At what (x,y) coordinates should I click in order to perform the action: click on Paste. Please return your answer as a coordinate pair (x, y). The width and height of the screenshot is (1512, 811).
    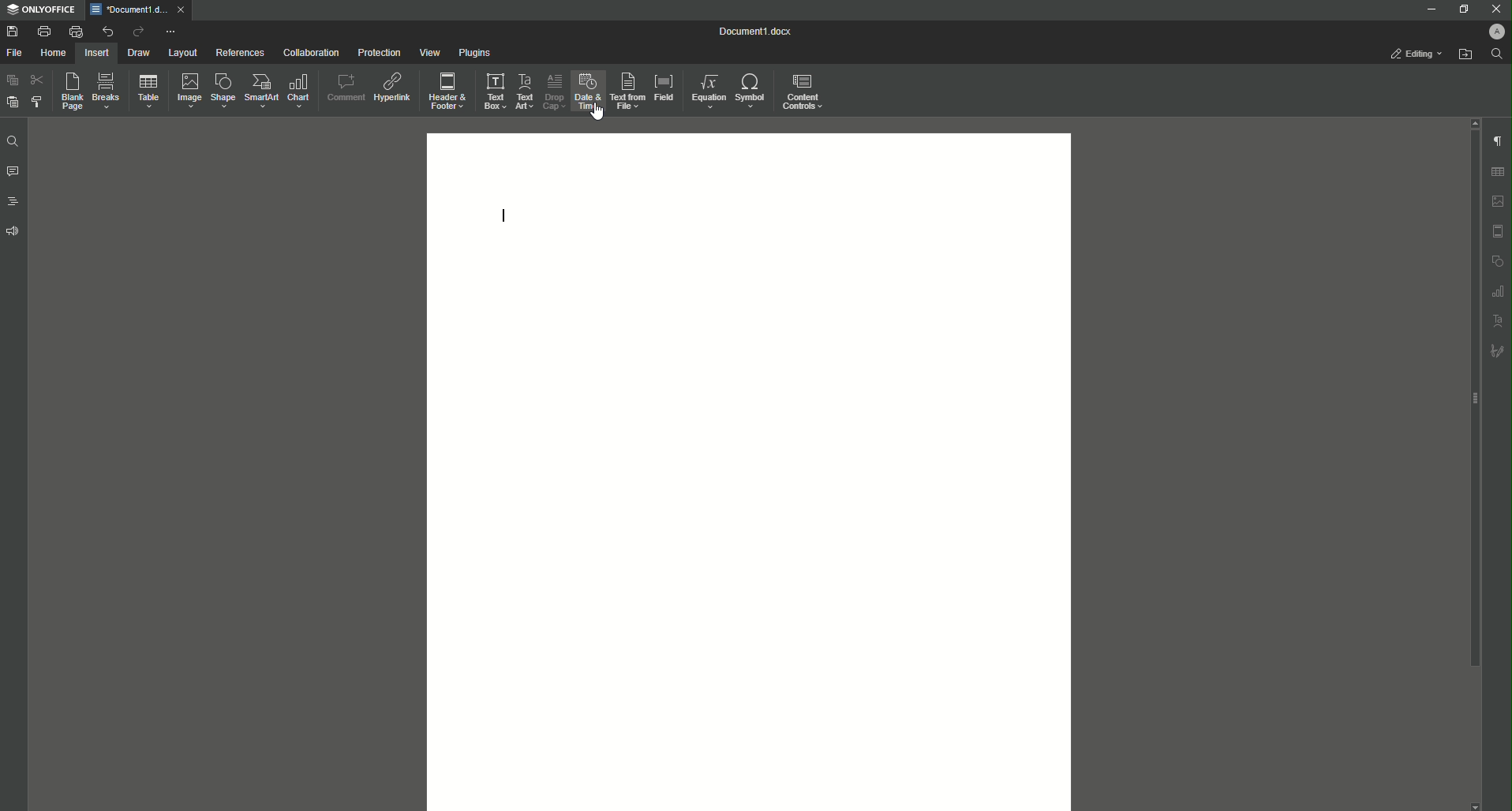
    Looking at the image, I should click on (11, 80).